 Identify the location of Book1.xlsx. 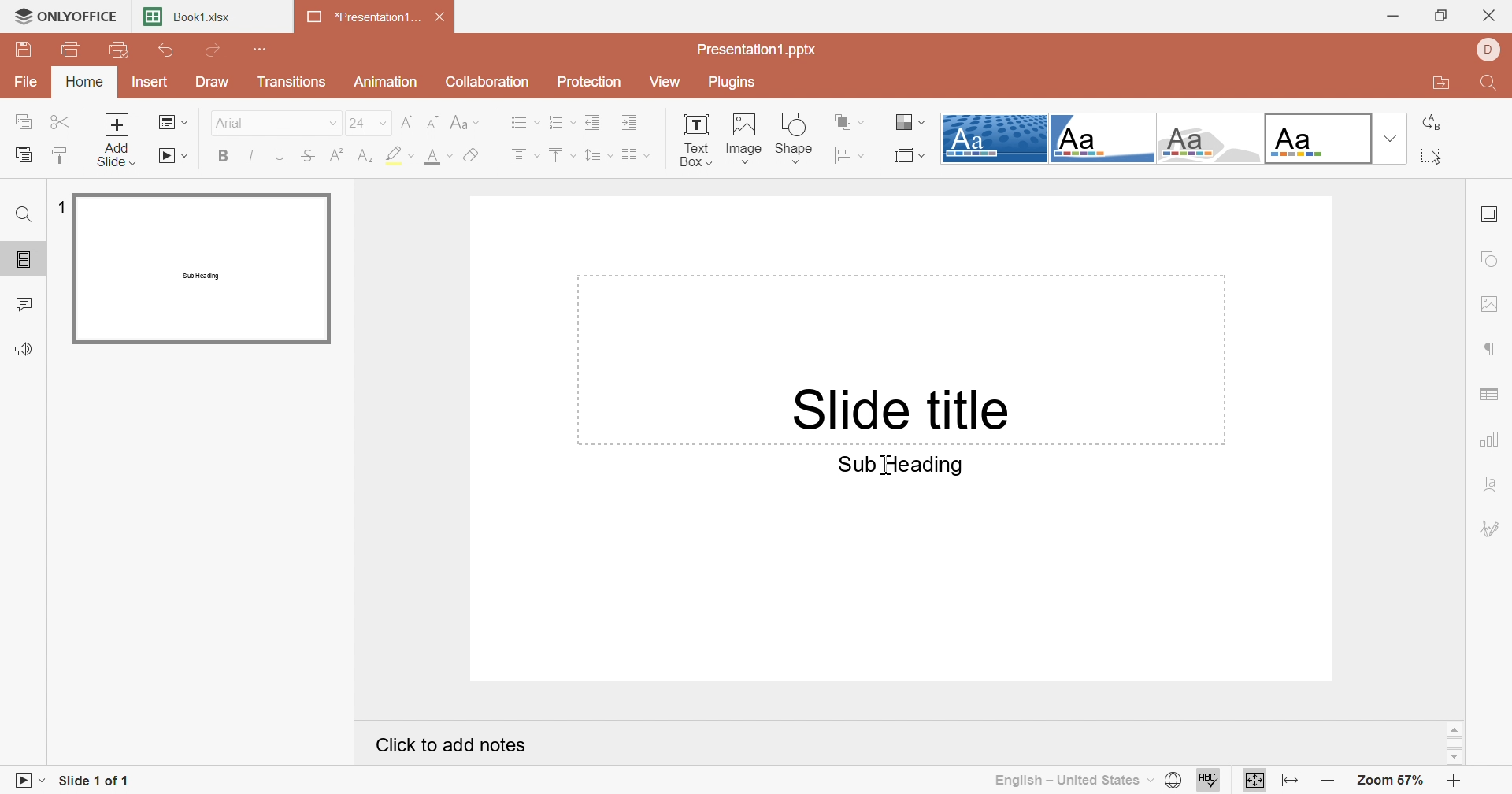
(188, 16).